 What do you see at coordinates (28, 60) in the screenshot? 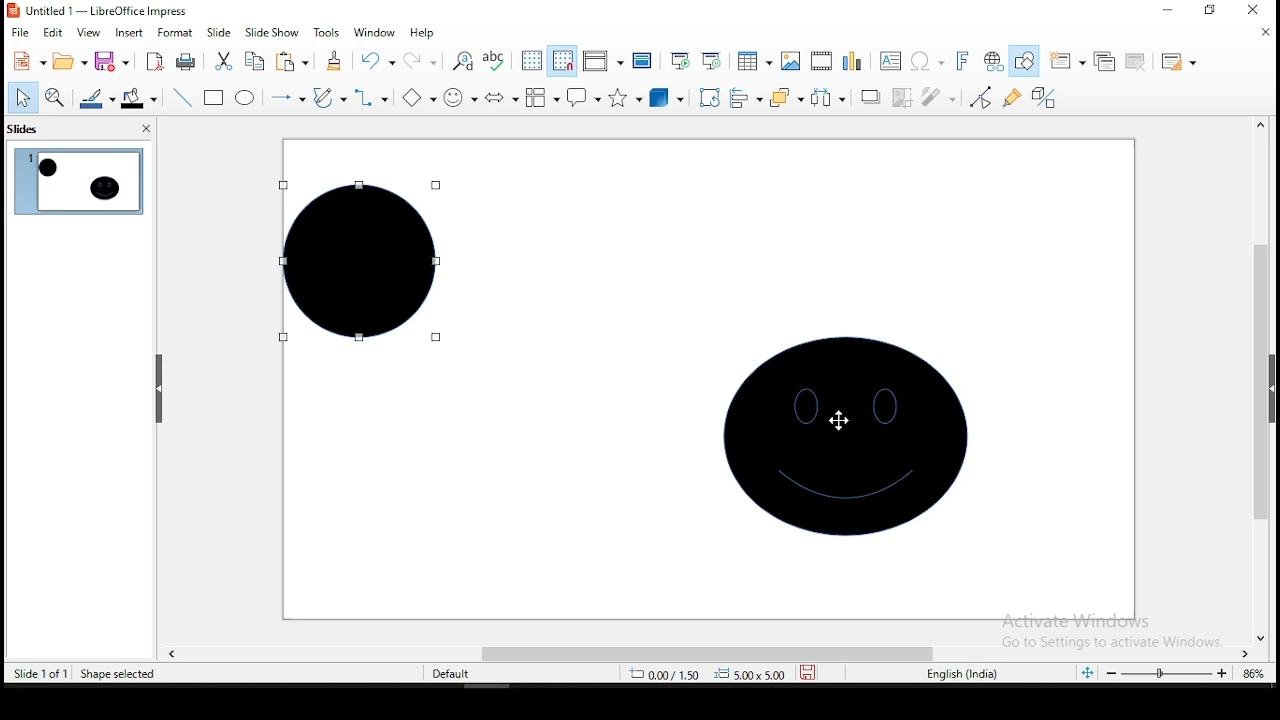
I see `new tool` at bounding box center [28, 60].